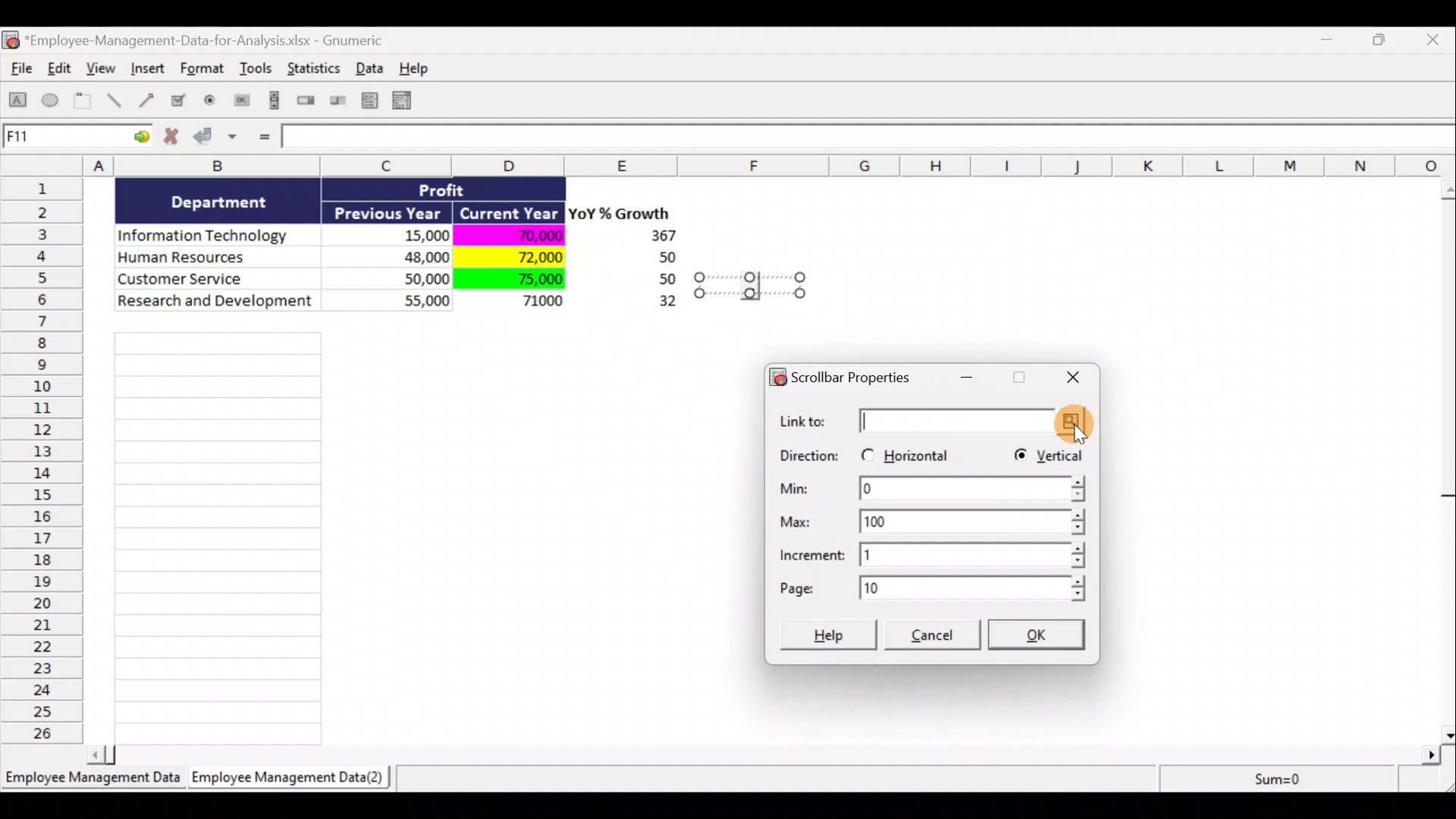  What do you see at coordinates (366, 100) in the screenshot?
I see `Create a list` at bounding box center [366, 100].